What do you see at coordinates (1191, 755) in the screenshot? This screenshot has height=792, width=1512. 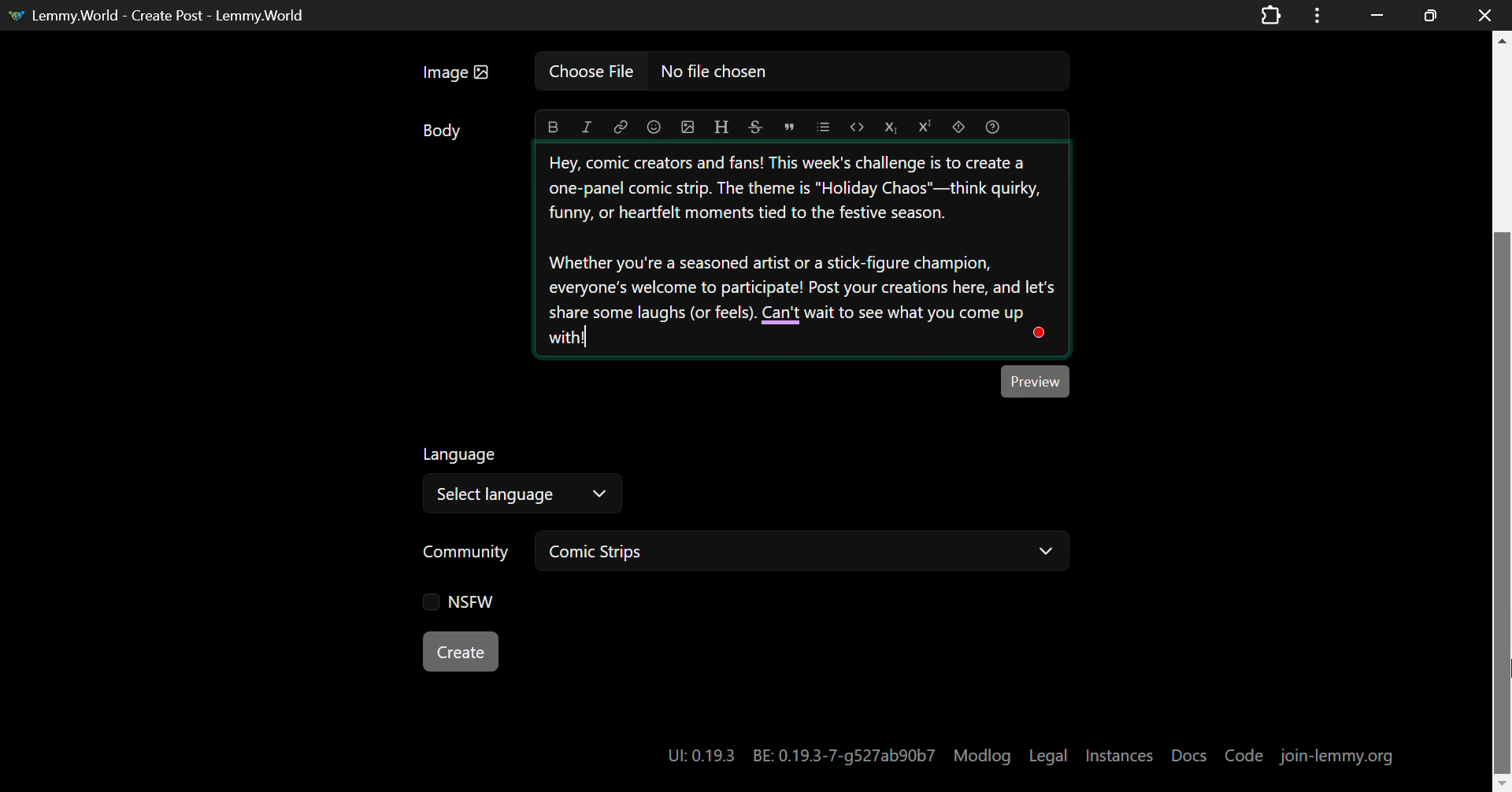 I see `Docs` at bounding box center [1191, 755].